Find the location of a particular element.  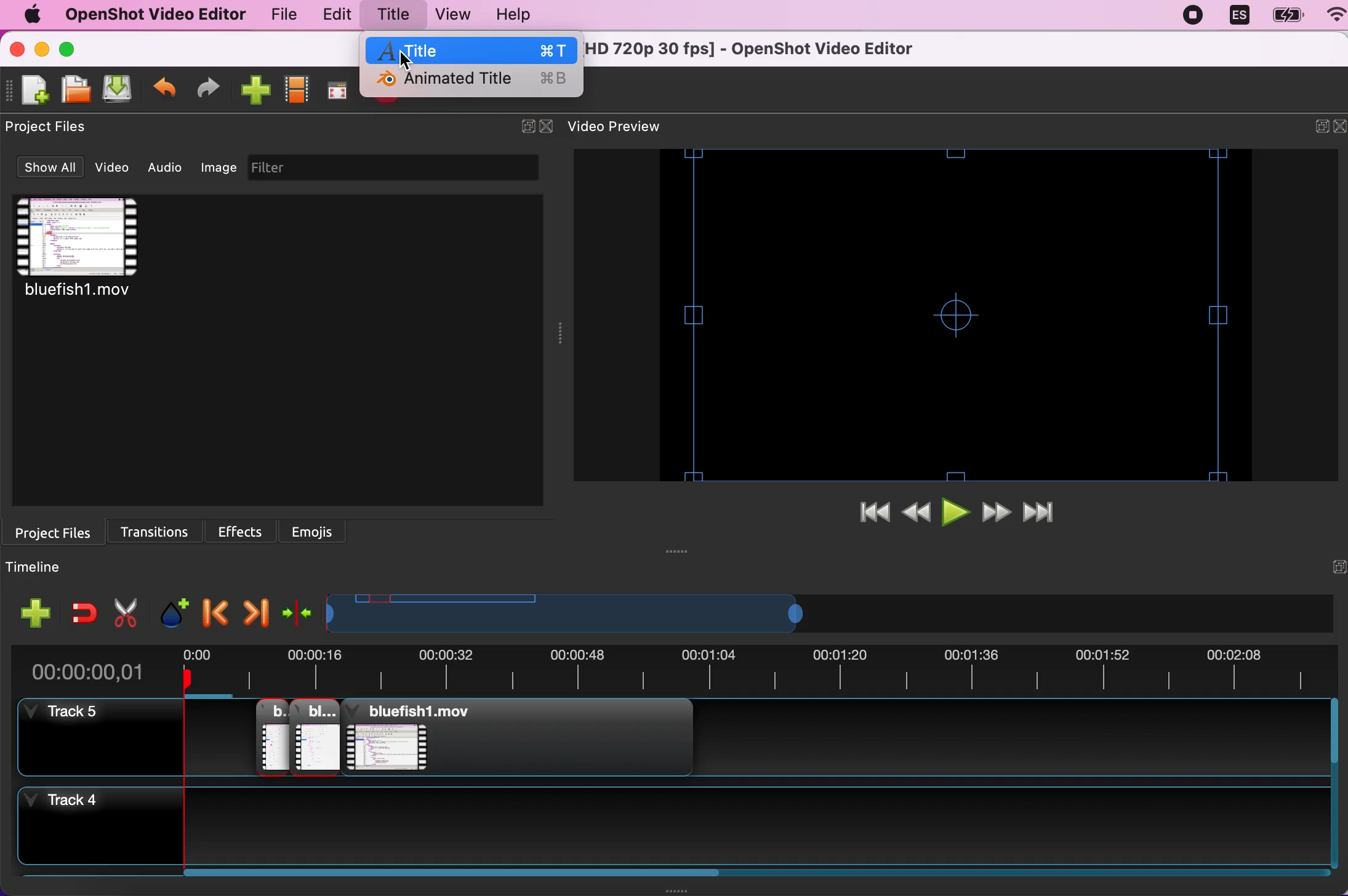

track 4 is located at coordinates (91, 828).